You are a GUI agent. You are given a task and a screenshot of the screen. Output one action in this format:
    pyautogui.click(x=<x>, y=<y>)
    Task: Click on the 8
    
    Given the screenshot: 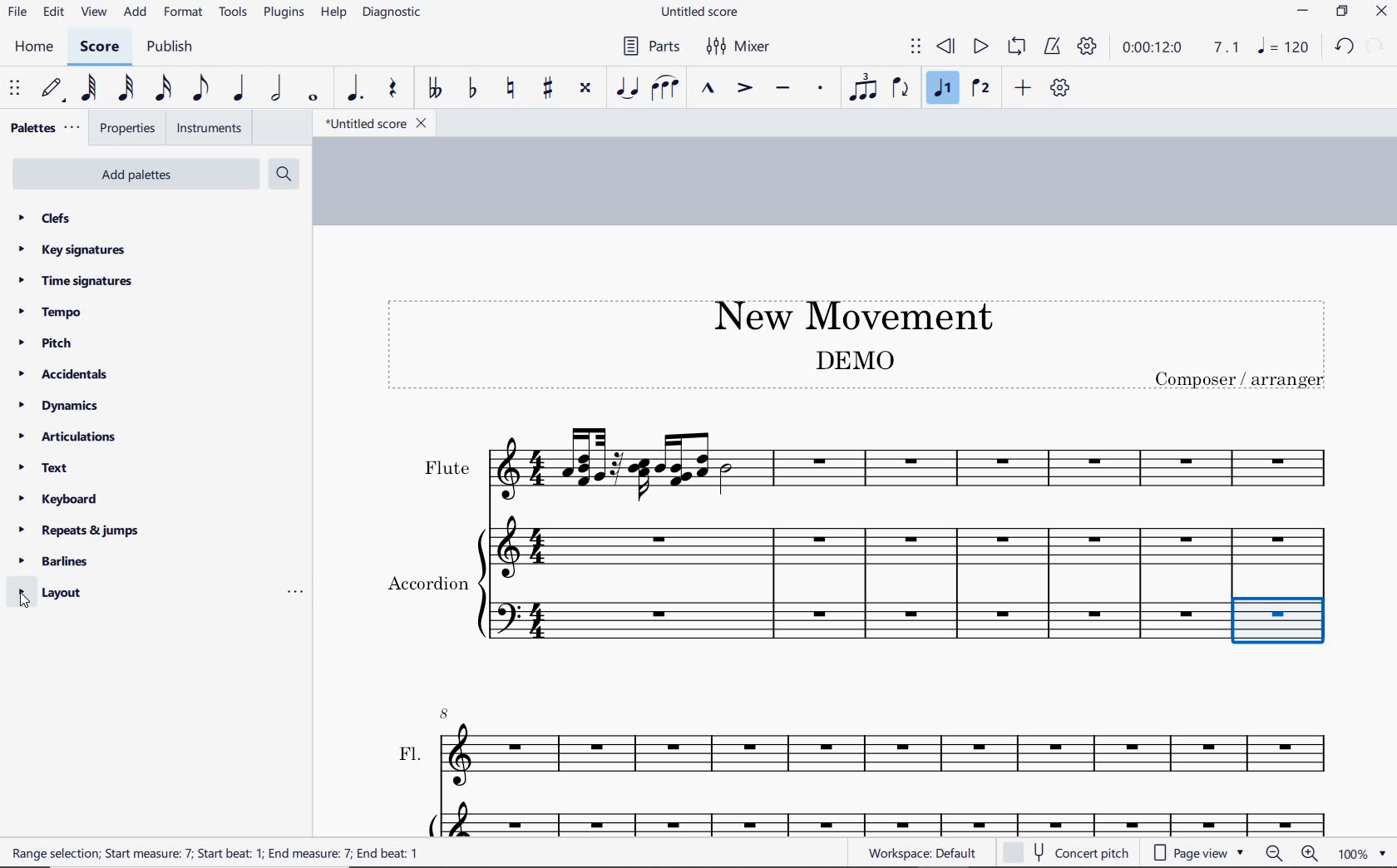 What is the action you would take?
    pyautogui.click(x=446, y=712)
    